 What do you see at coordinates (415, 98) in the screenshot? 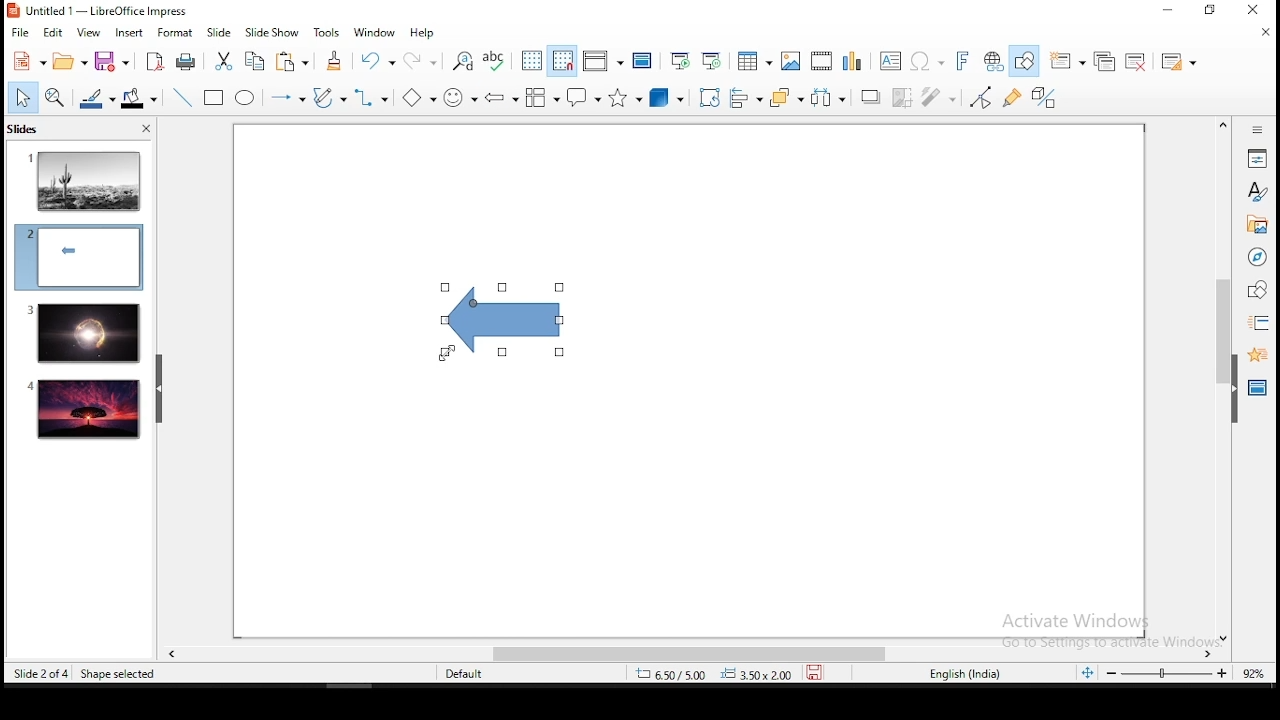
I see `basic shapes` at bounding box center [415, 98].